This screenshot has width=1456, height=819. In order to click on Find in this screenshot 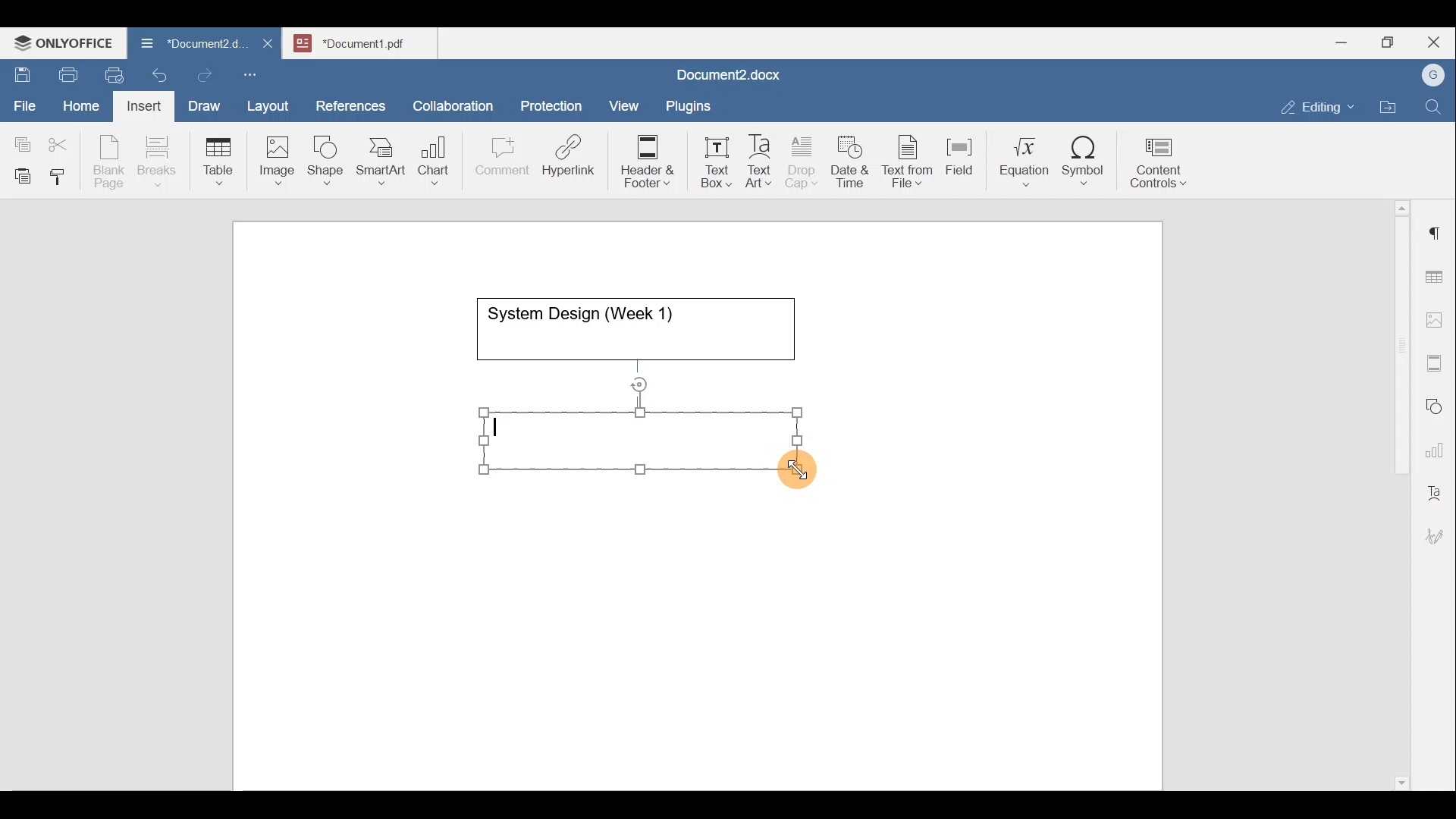, I will do `click(1435, 108)`.